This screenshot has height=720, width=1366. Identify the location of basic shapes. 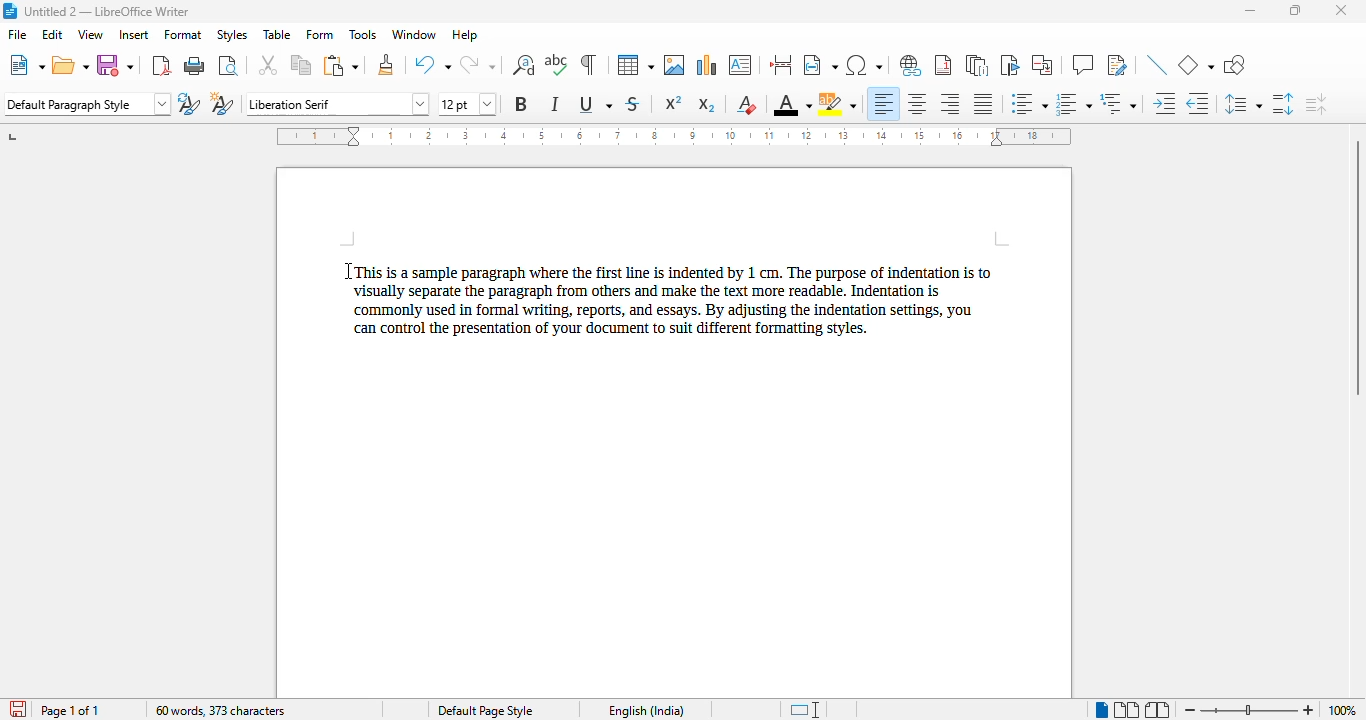
(1196, 64).